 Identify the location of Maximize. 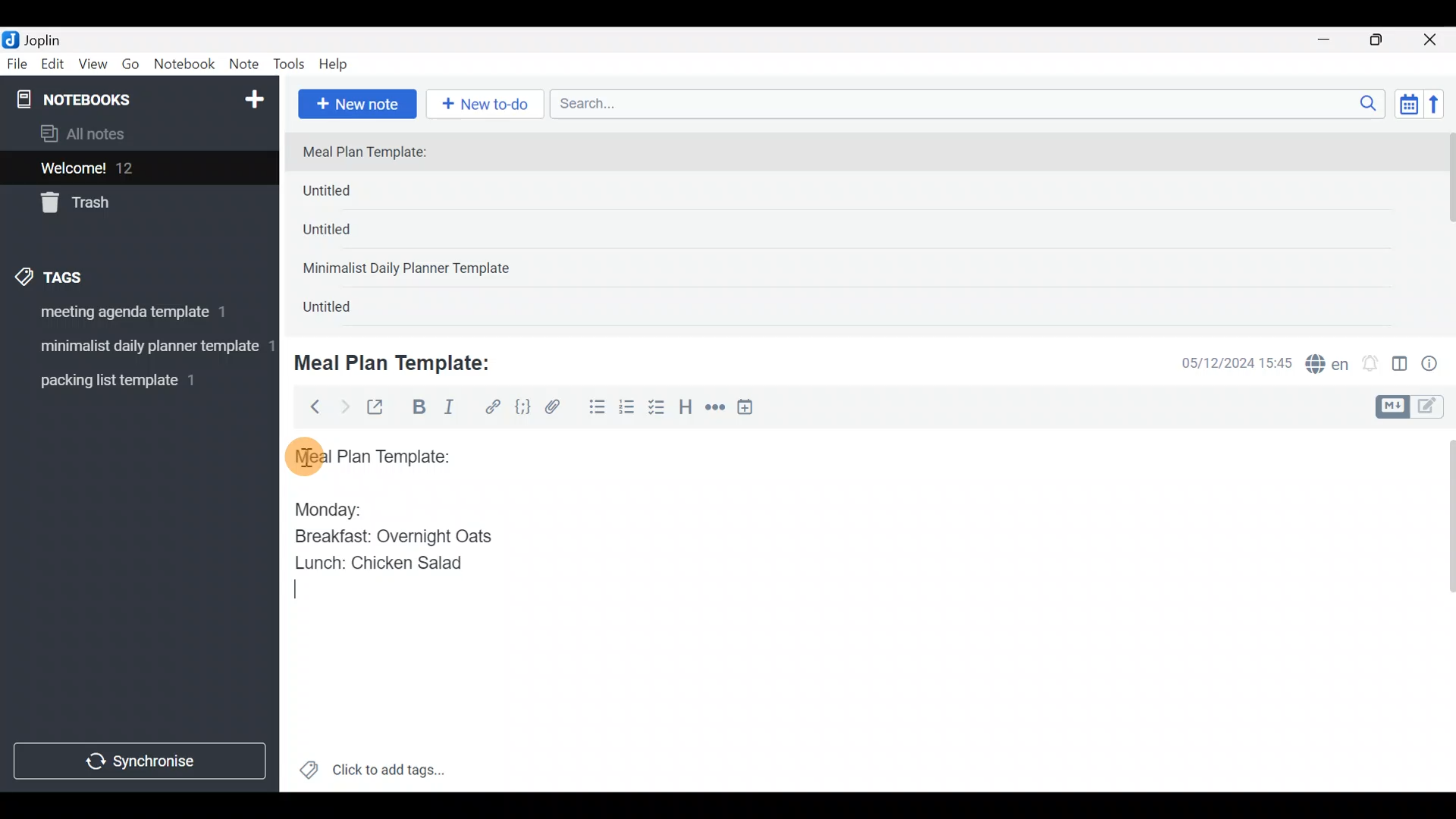
(1385, 40).